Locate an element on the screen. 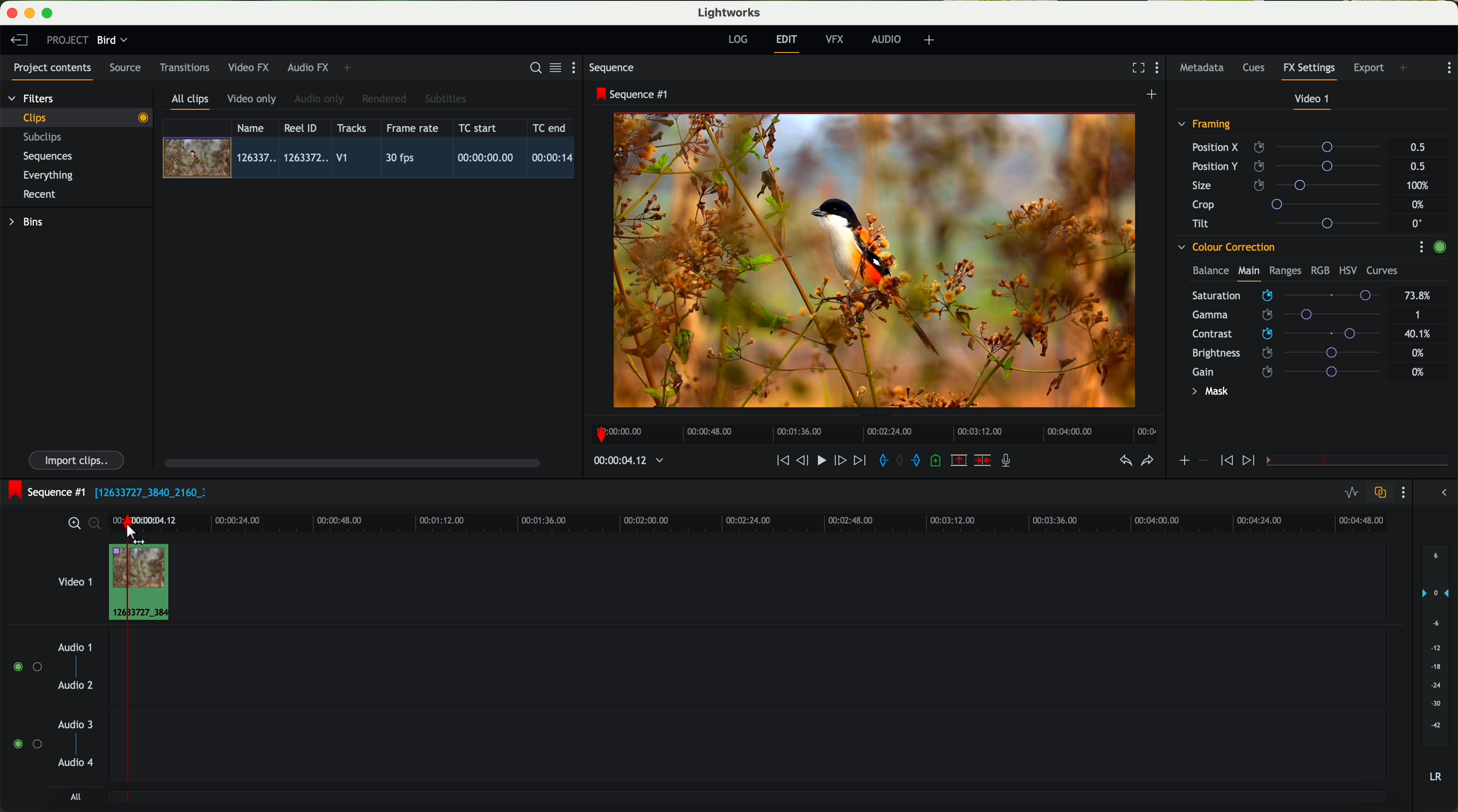 This screenshot has width=1458, height=812. 0% is located at coordinates (1420, 205).